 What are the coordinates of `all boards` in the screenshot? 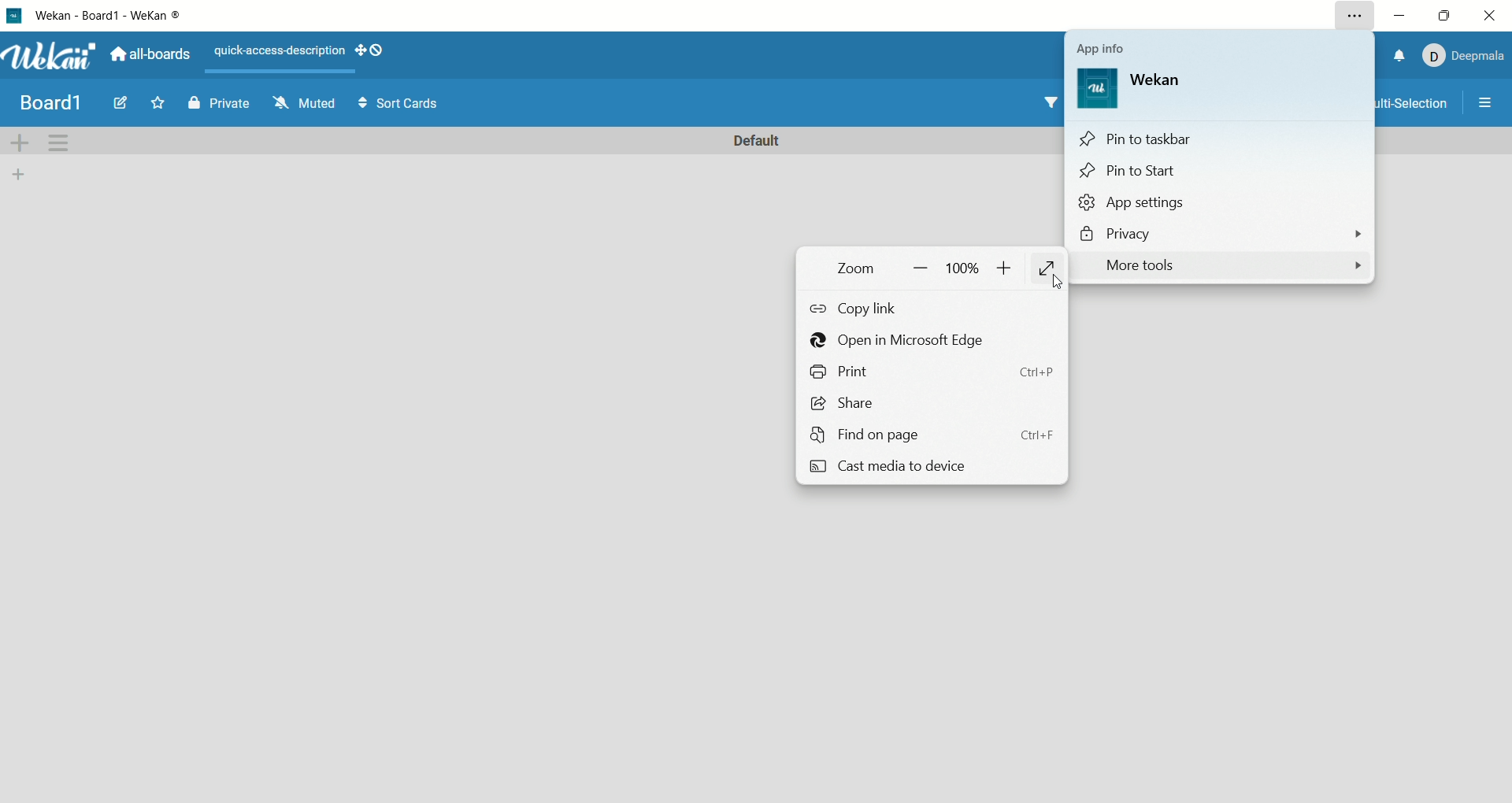 It's located at (147, 57).